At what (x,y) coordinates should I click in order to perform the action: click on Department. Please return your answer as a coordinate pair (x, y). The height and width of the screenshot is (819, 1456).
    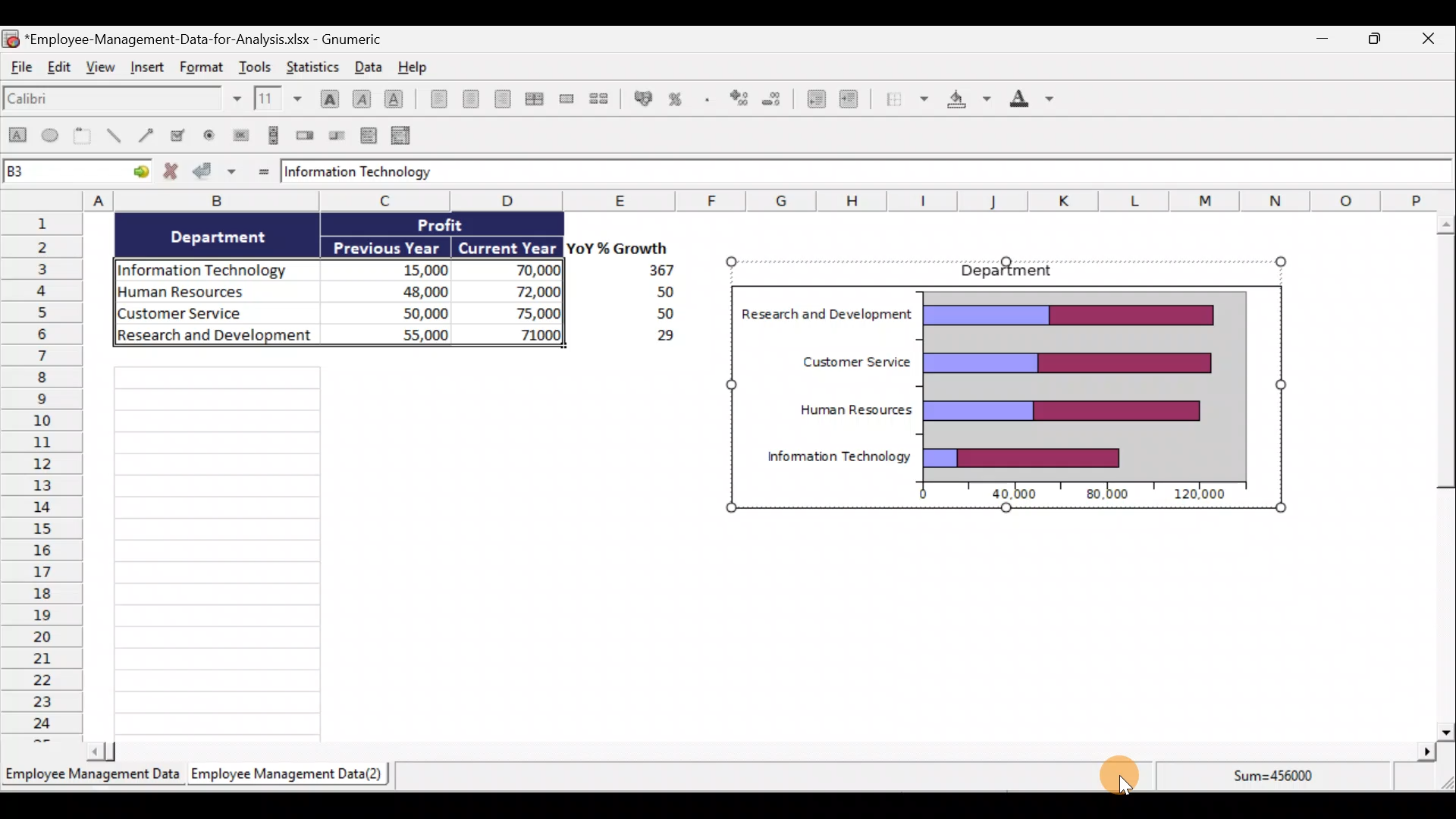
    Looking at the image, I should click on (228, 237).